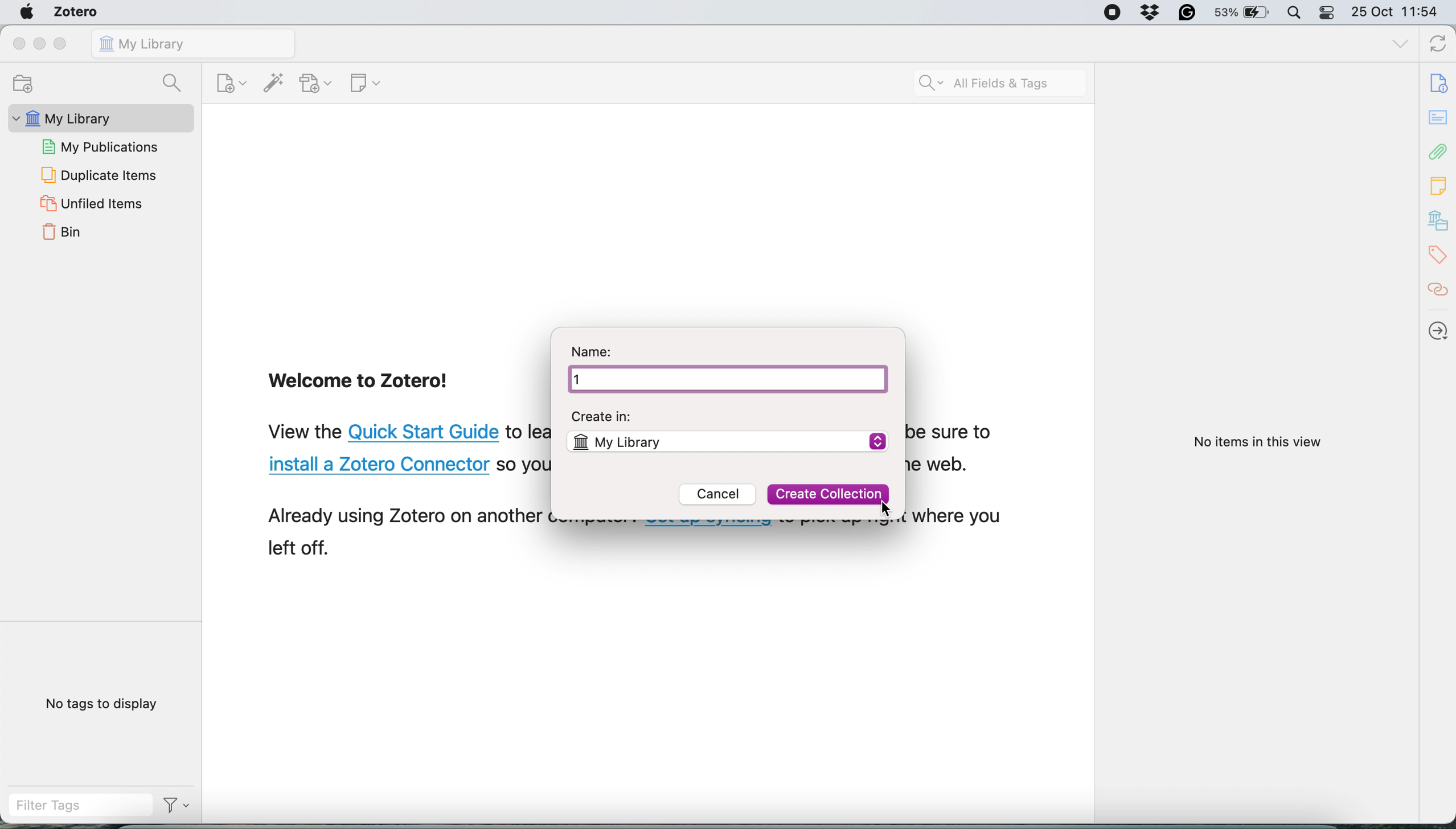  Describe the element at coordinates (1438, 117) in the screenshot. I see `notes` at that location.